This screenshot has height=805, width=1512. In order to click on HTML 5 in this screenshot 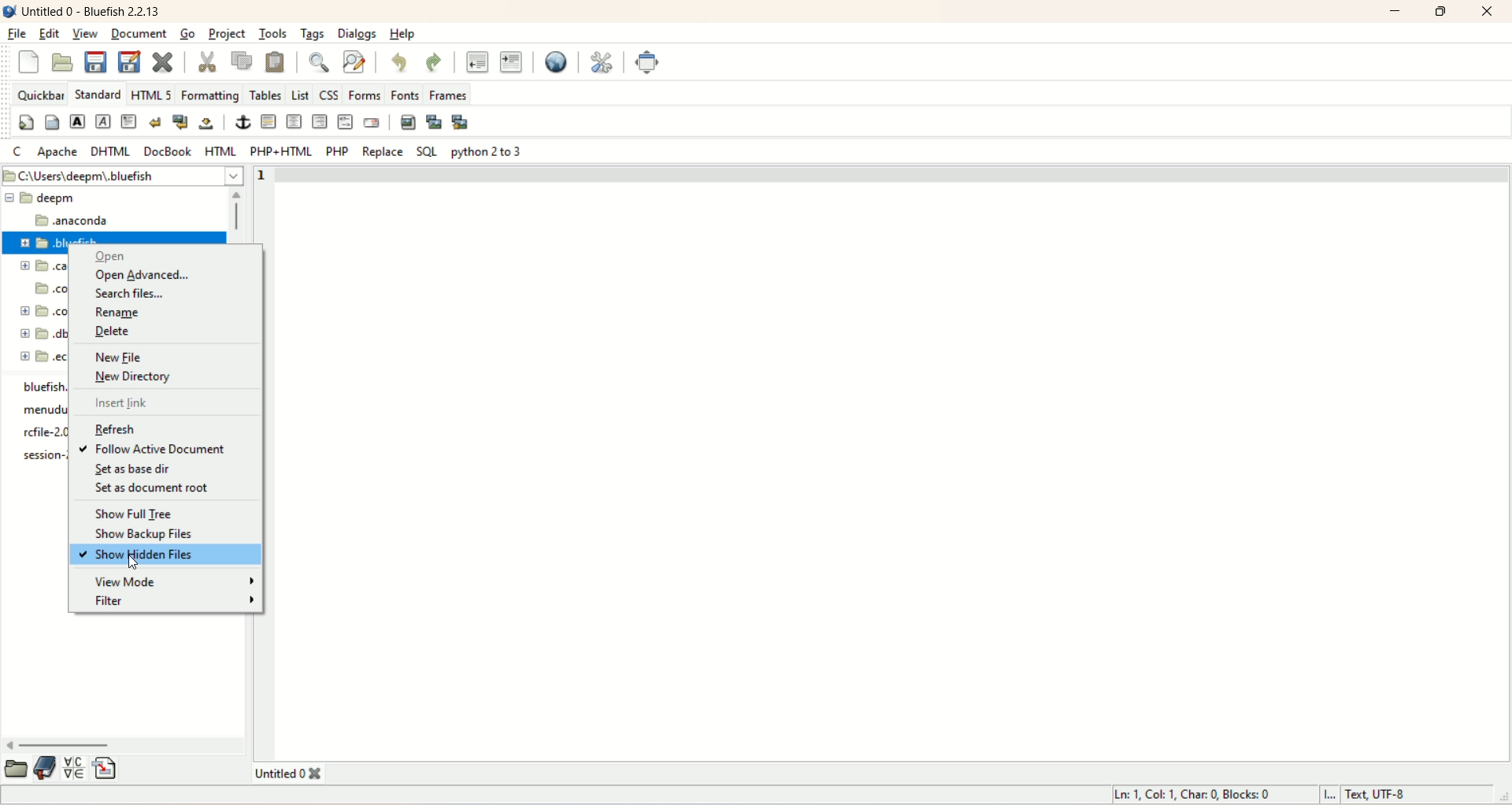, I will do `click(150, 95)`.